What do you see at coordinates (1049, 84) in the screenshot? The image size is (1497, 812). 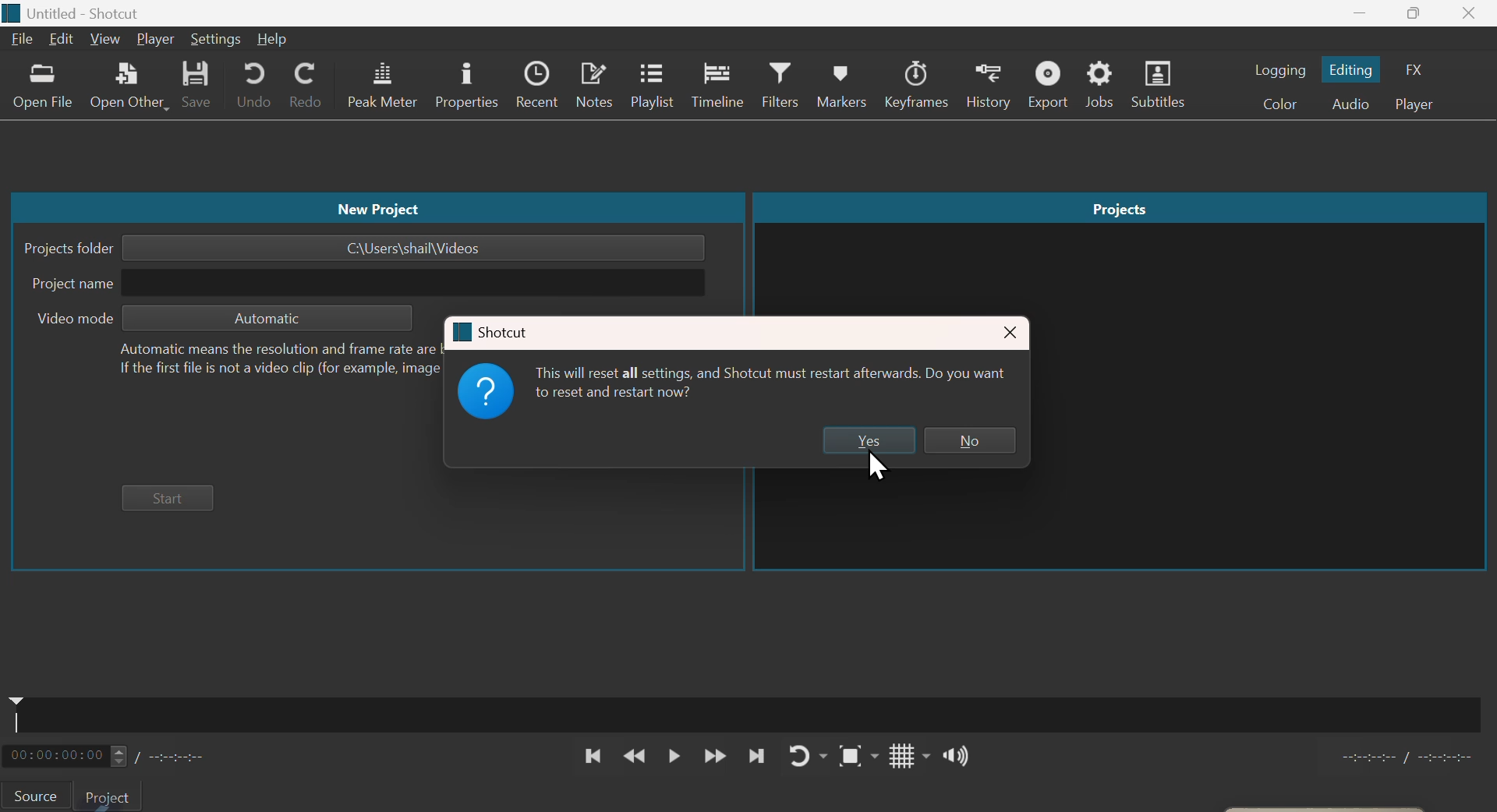 I see `Export` at bounding box center [1049, 84].